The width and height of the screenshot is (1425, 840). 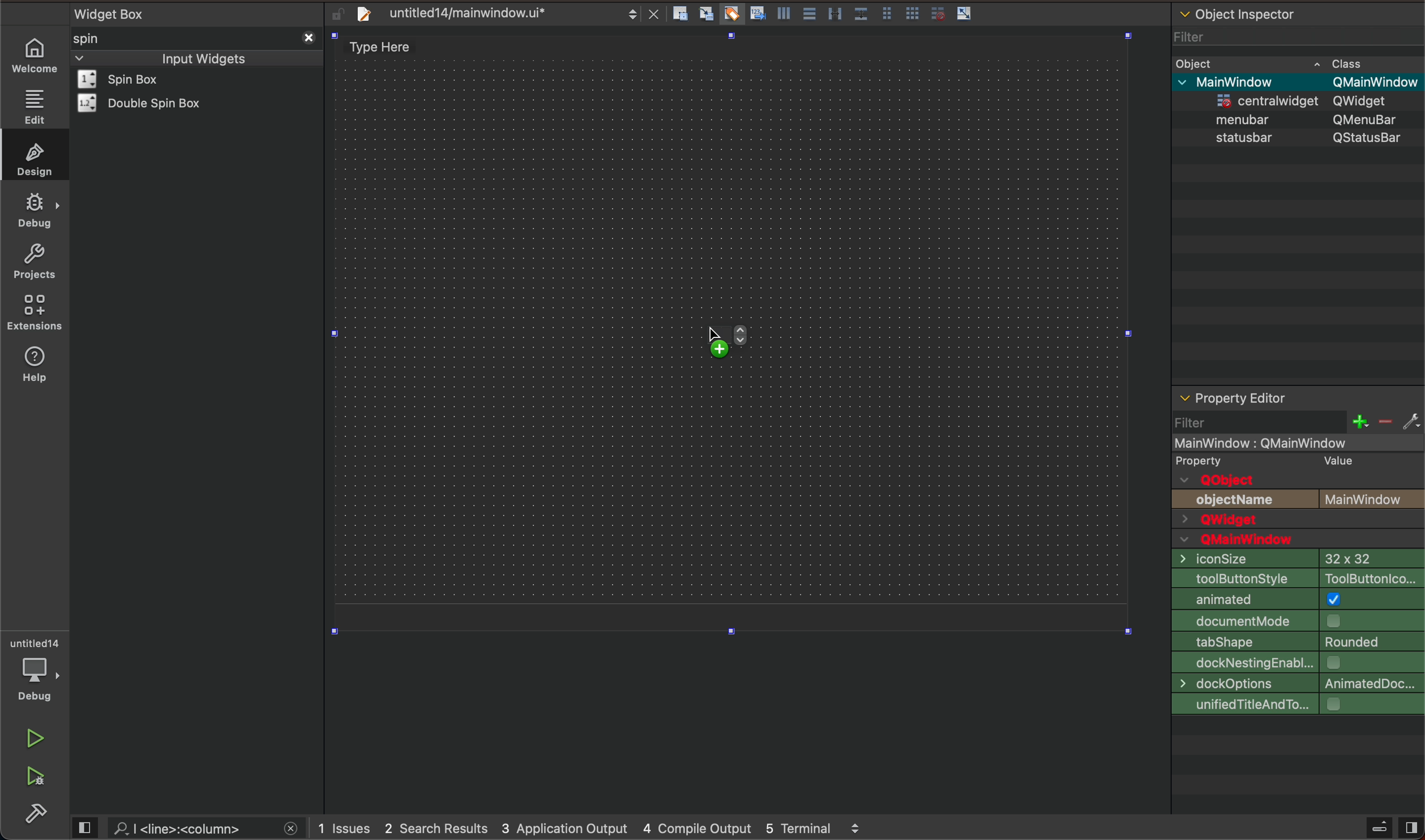 I want to click on close, so click(x=307, y=36).